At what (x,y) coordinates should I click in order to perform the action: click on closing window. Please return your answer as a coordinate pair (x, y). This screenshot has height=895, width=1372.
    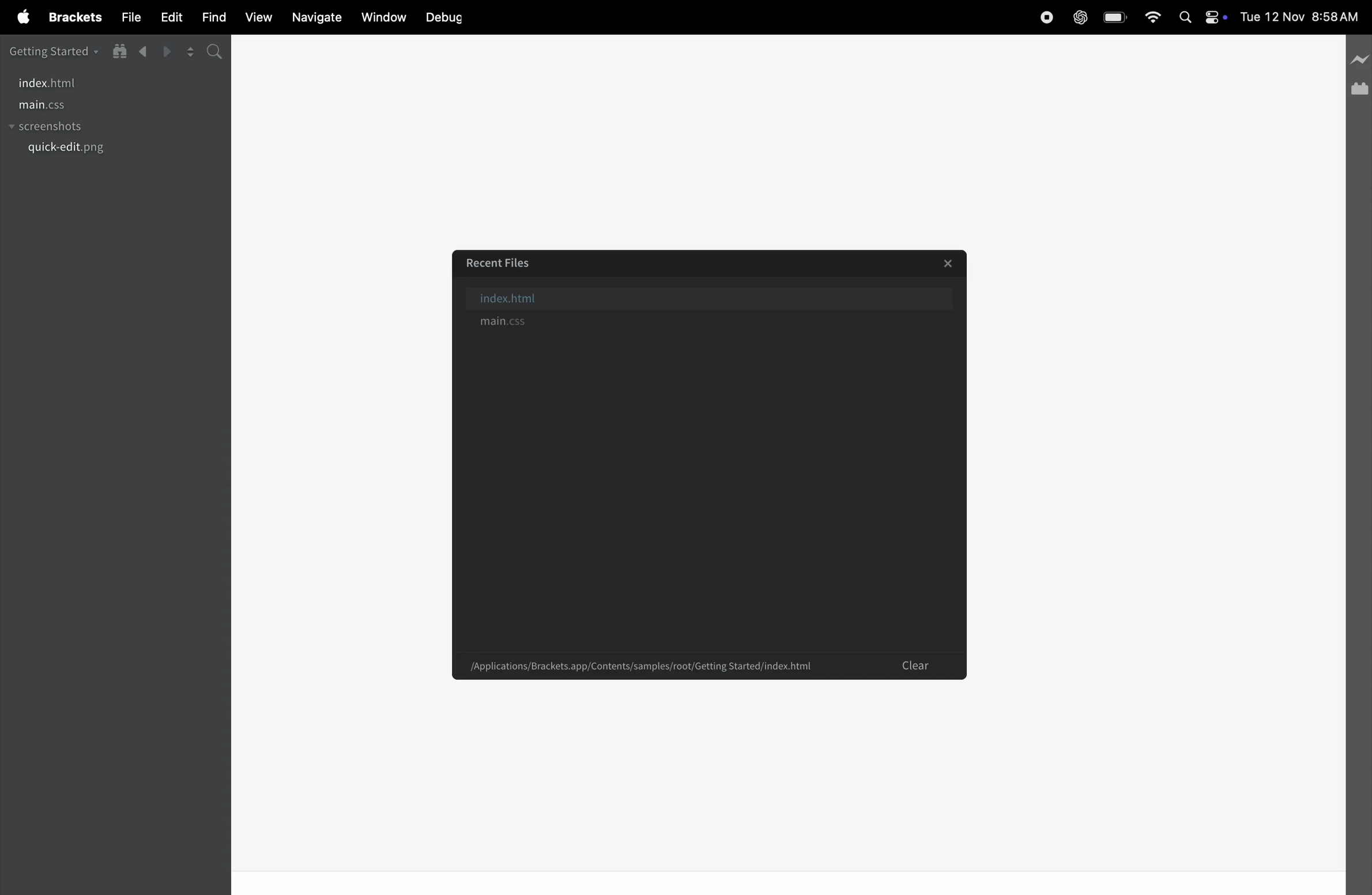
    Looking at the image, I should click on (951, 264).